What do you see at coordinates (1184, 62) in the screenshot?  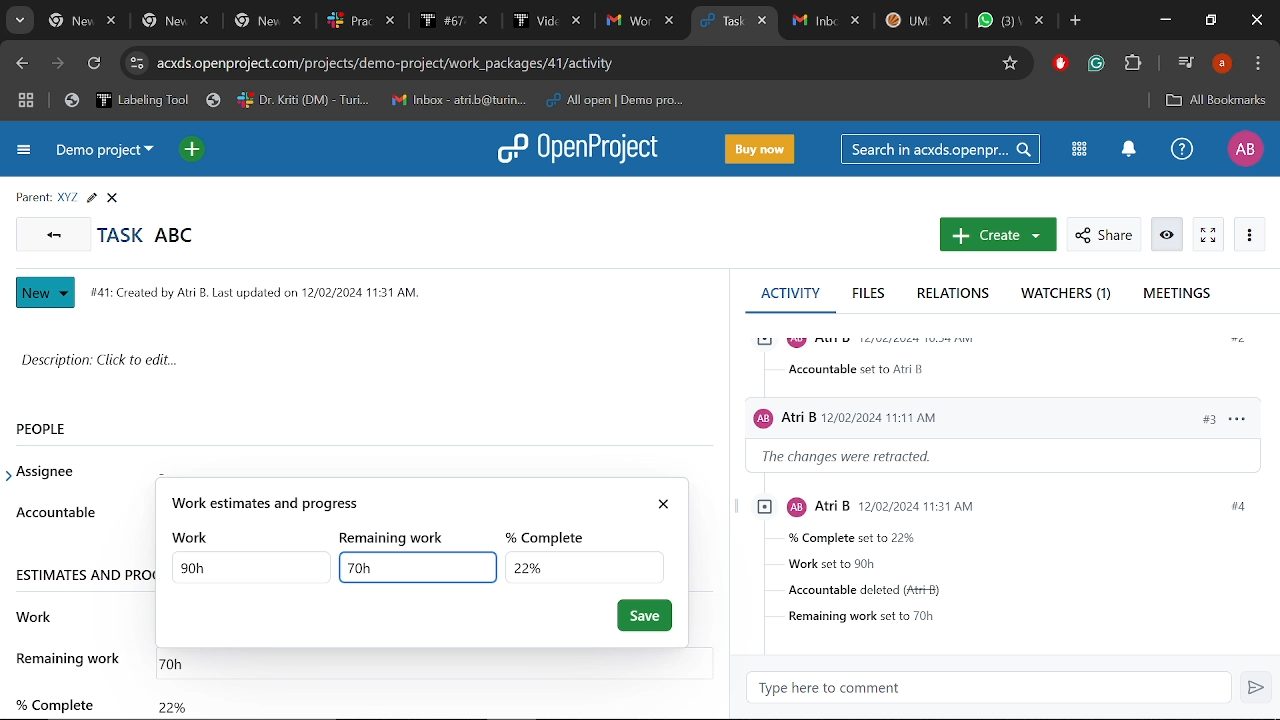 I see `Control audio/video` at bounding box center [1184, 62].